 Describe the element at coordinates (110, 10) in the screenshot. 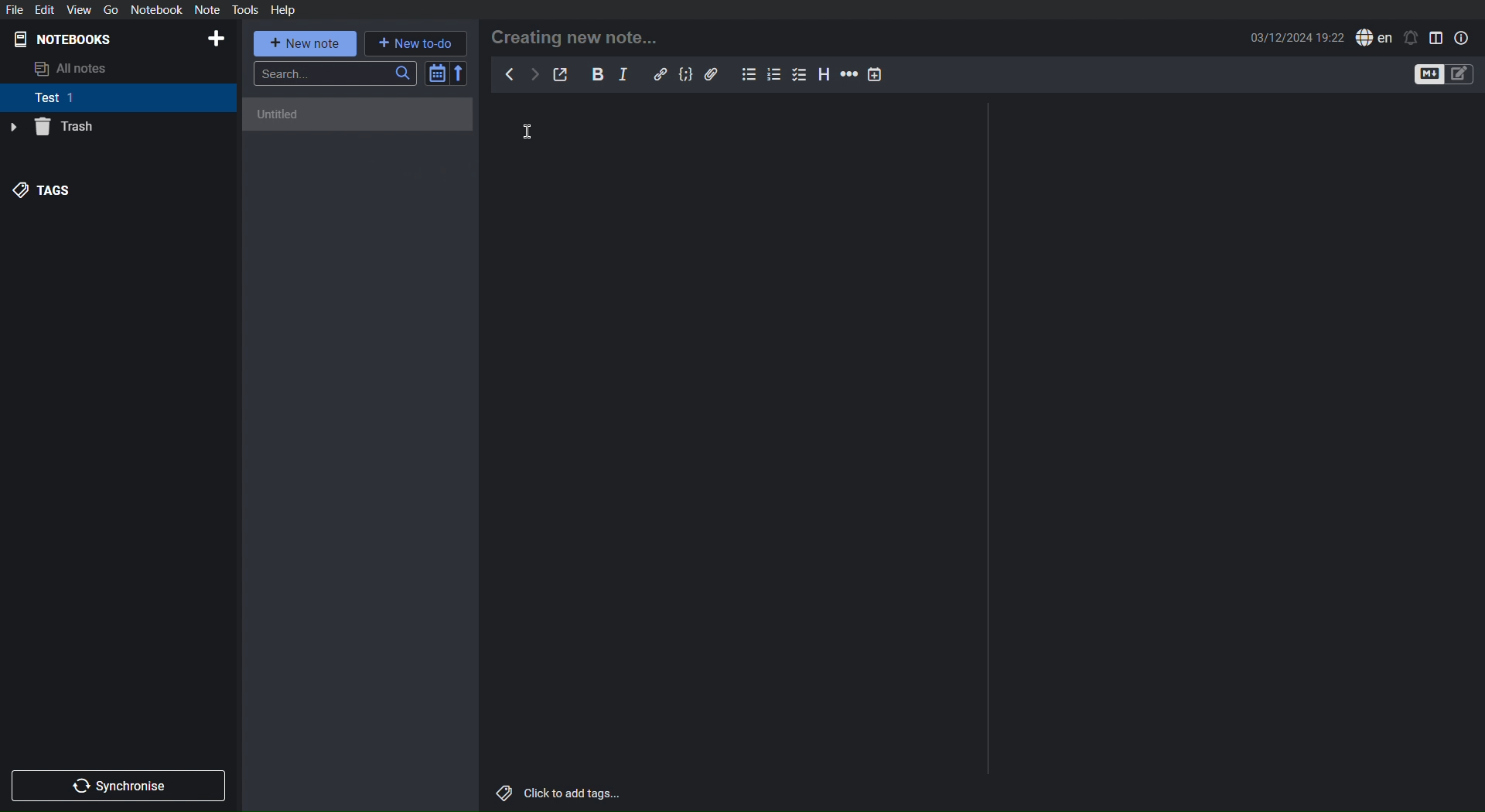

I see `Go` at that location.